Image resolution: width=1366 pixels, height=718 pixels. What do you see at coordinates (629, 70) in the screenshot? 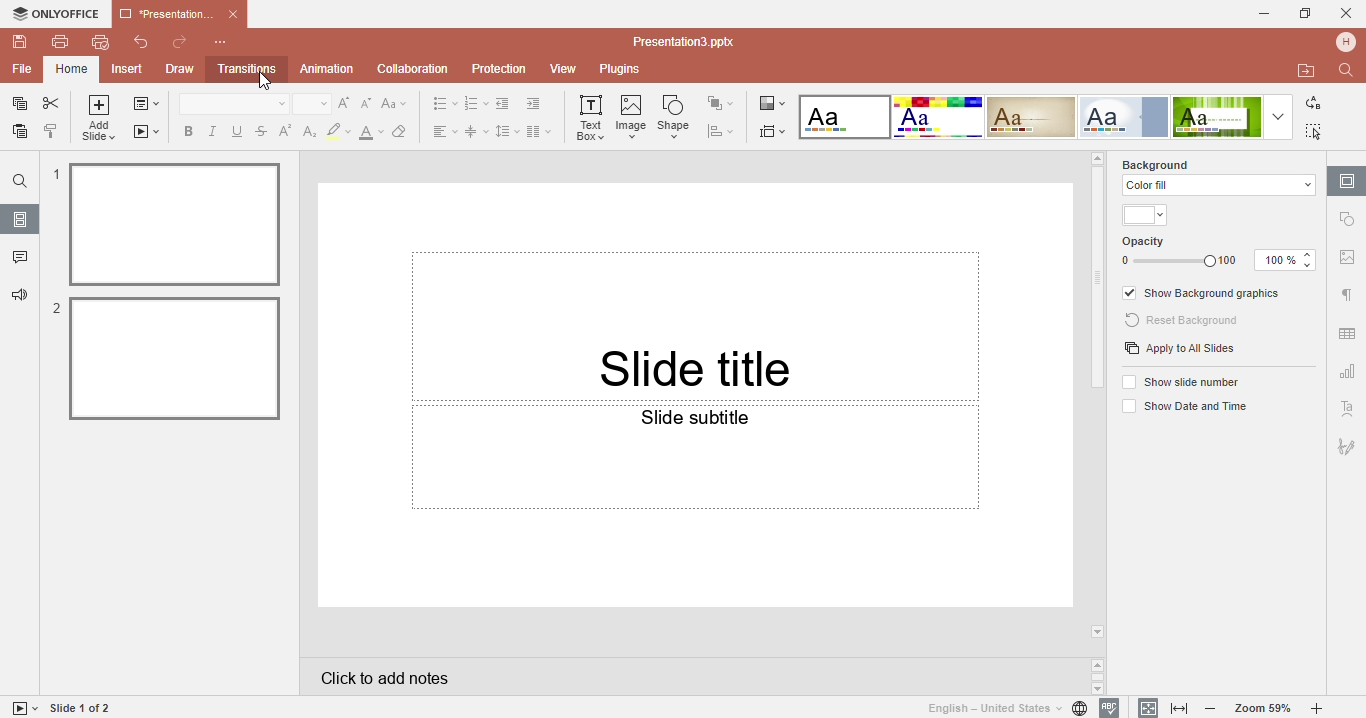
I see `Plugins` at bounding box center [629, 70].